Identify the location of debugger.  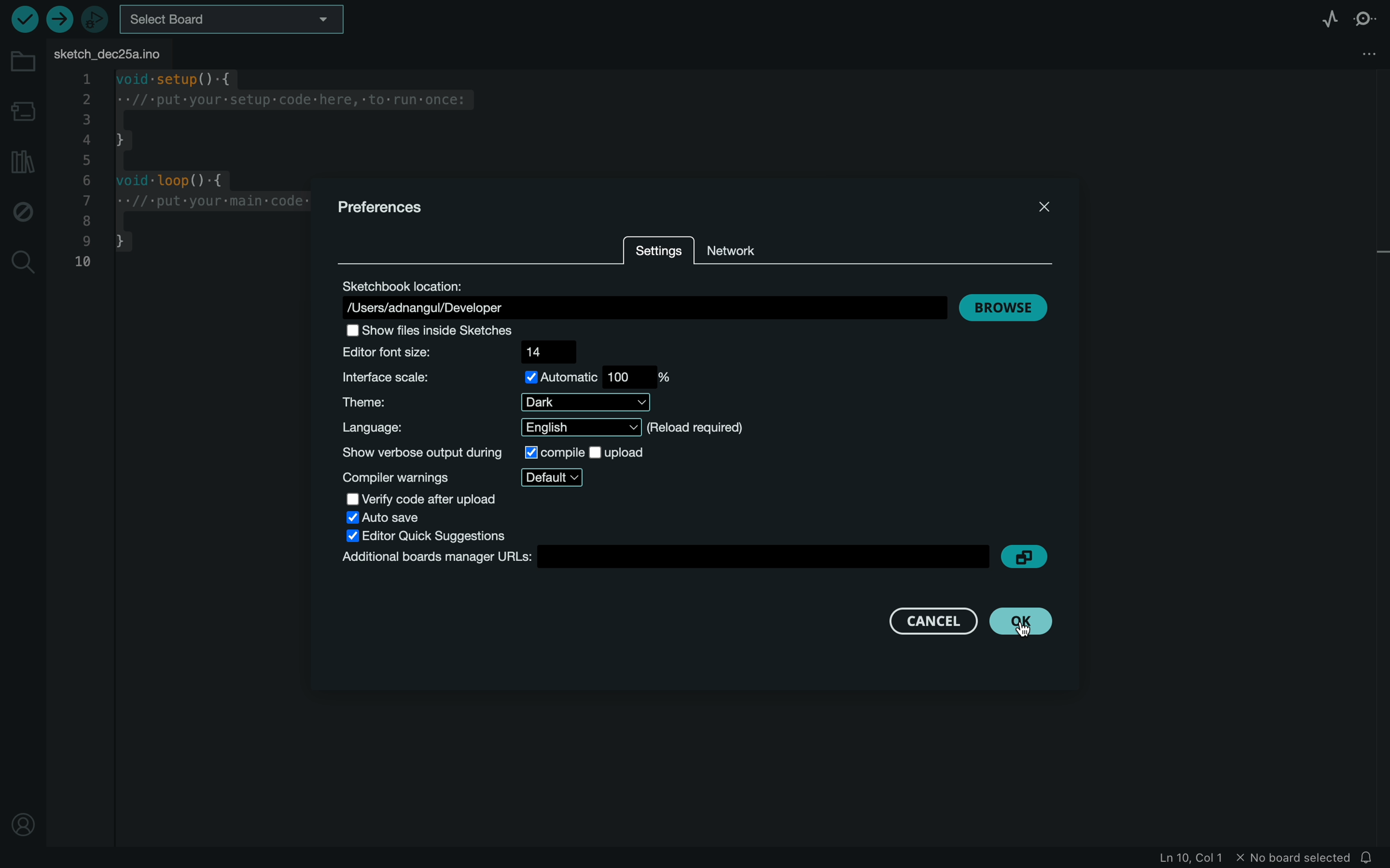
(94, 19).